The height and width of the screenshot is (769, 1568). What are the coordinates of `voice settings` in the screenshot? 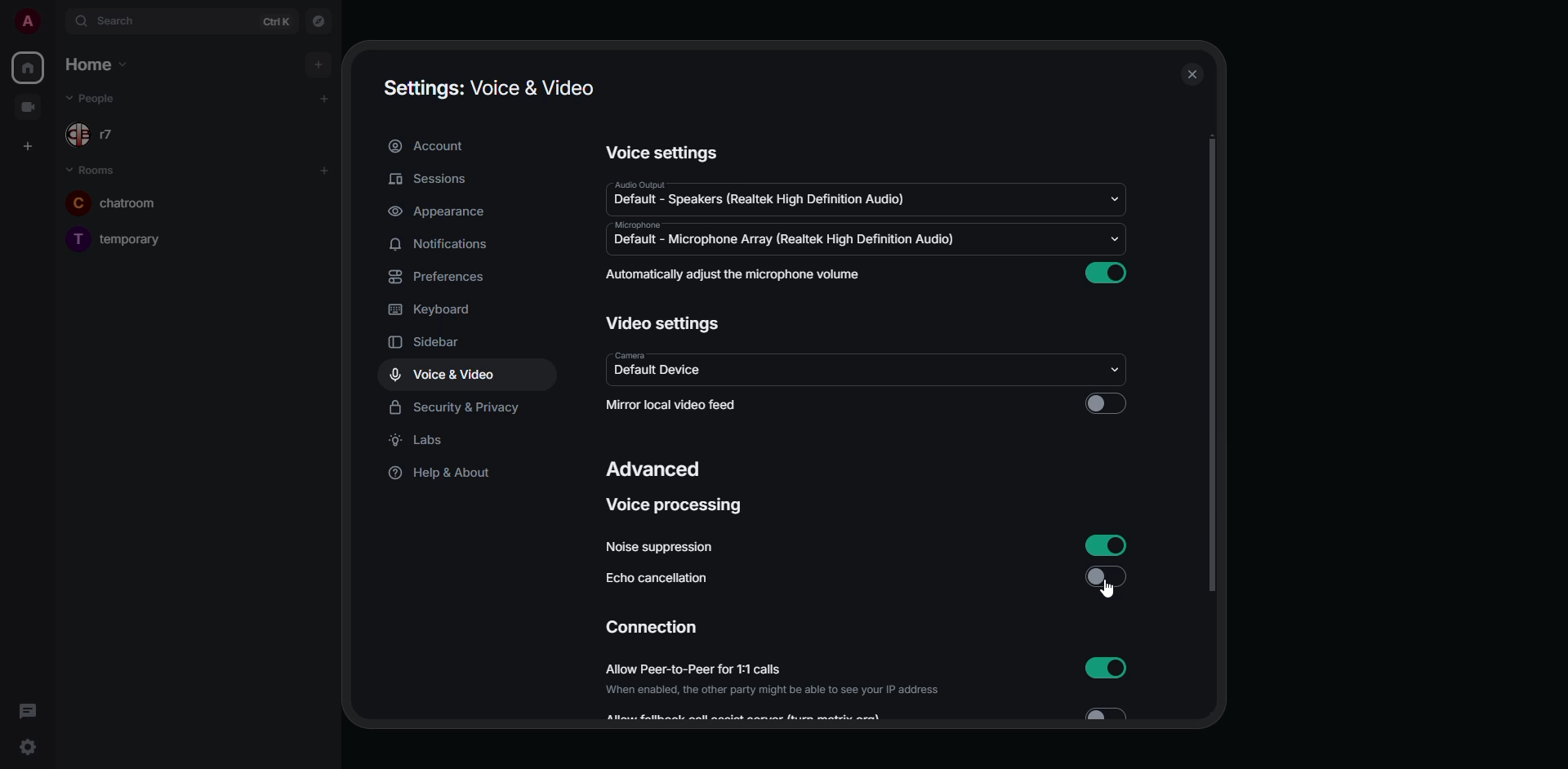 It's located at (661, 152).